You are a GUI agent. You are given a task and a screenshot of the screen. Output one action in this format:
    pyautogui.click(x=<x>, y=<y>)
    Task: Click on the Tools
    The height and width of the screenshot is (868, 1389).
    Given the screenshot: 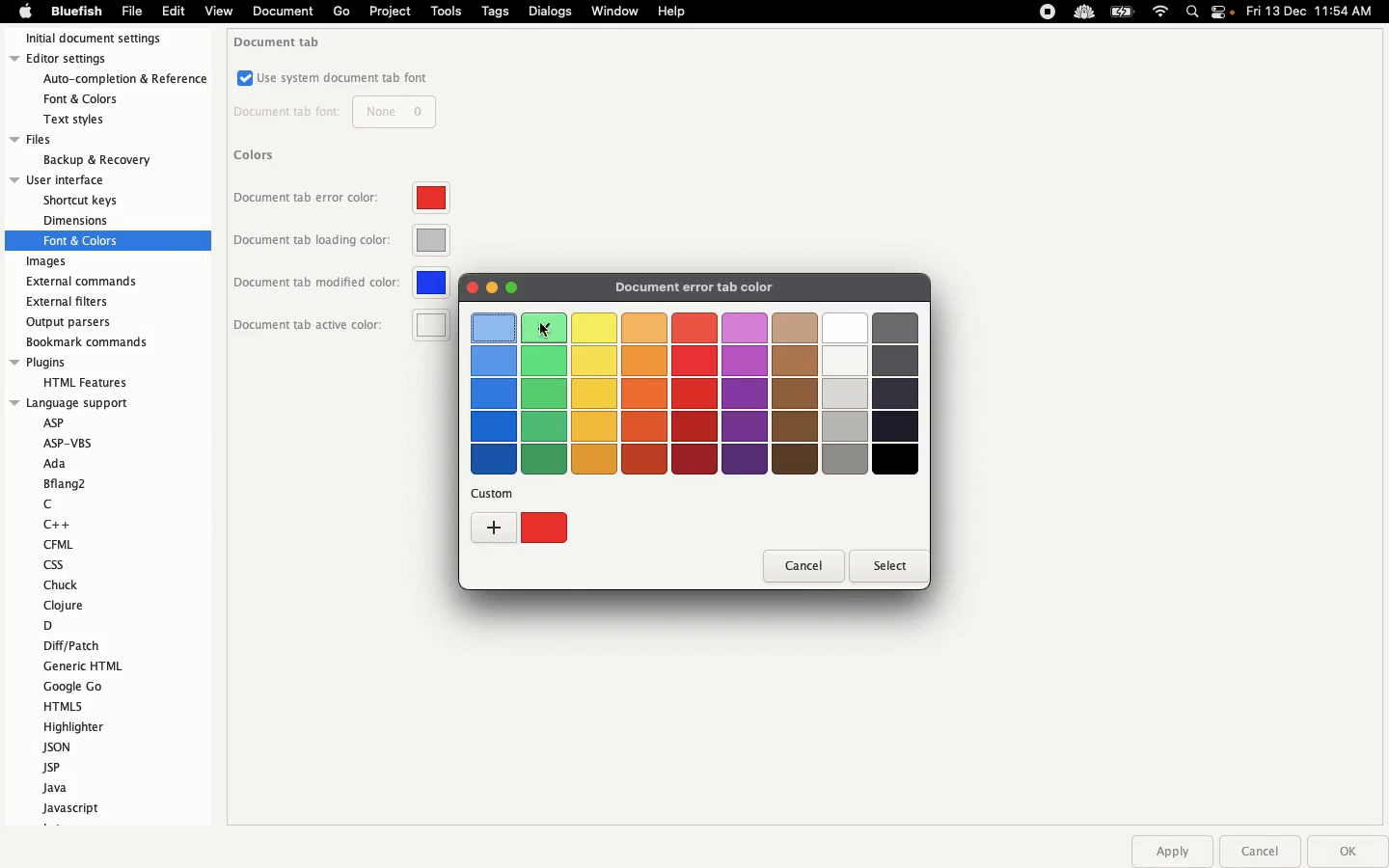 What is the action you would take?
    pyautogui.click(x=447, y=11)
    